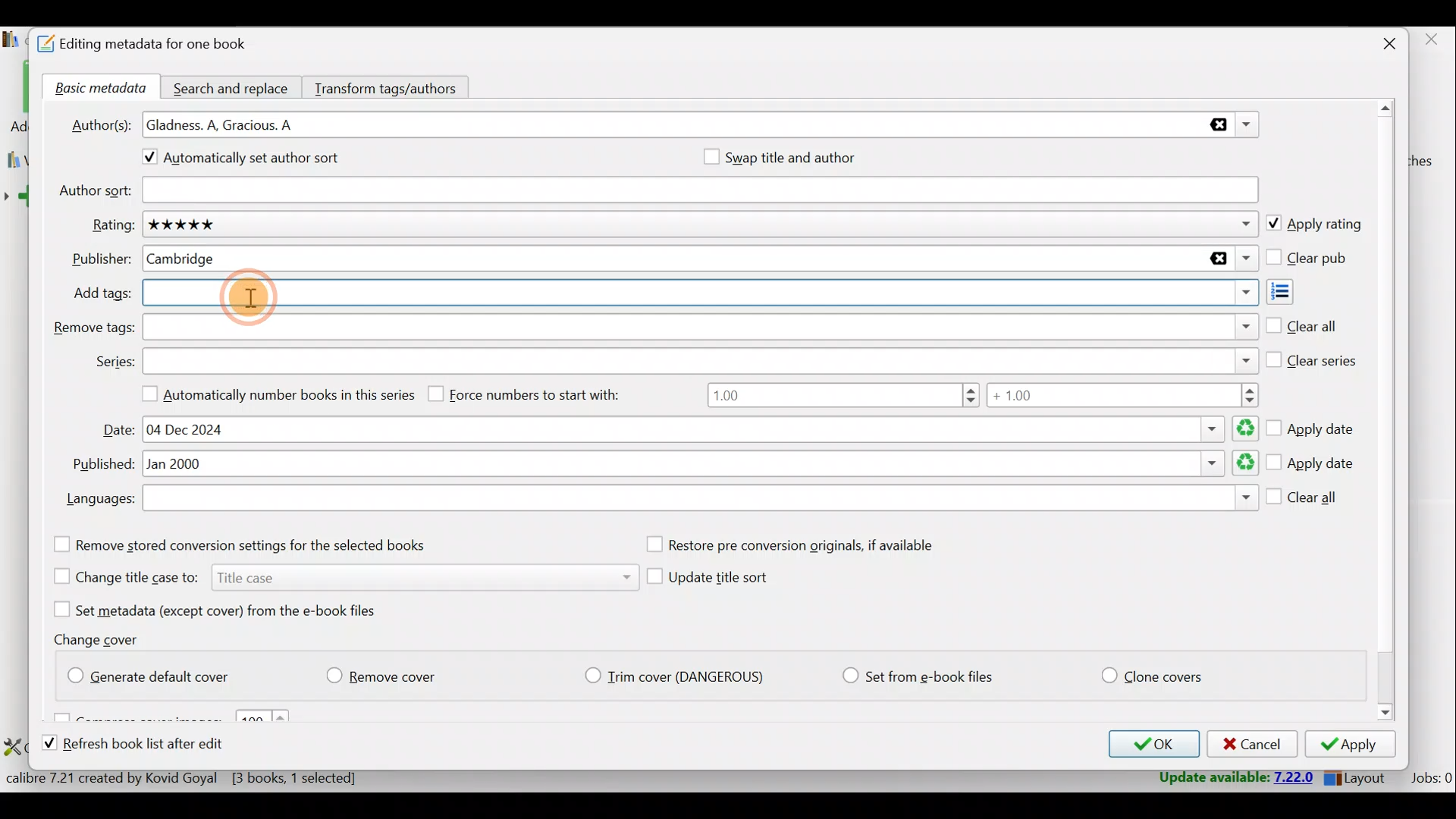 The height and width of the screenshot is (819, 1456). I want to click on Rating:, so click(112, 225).